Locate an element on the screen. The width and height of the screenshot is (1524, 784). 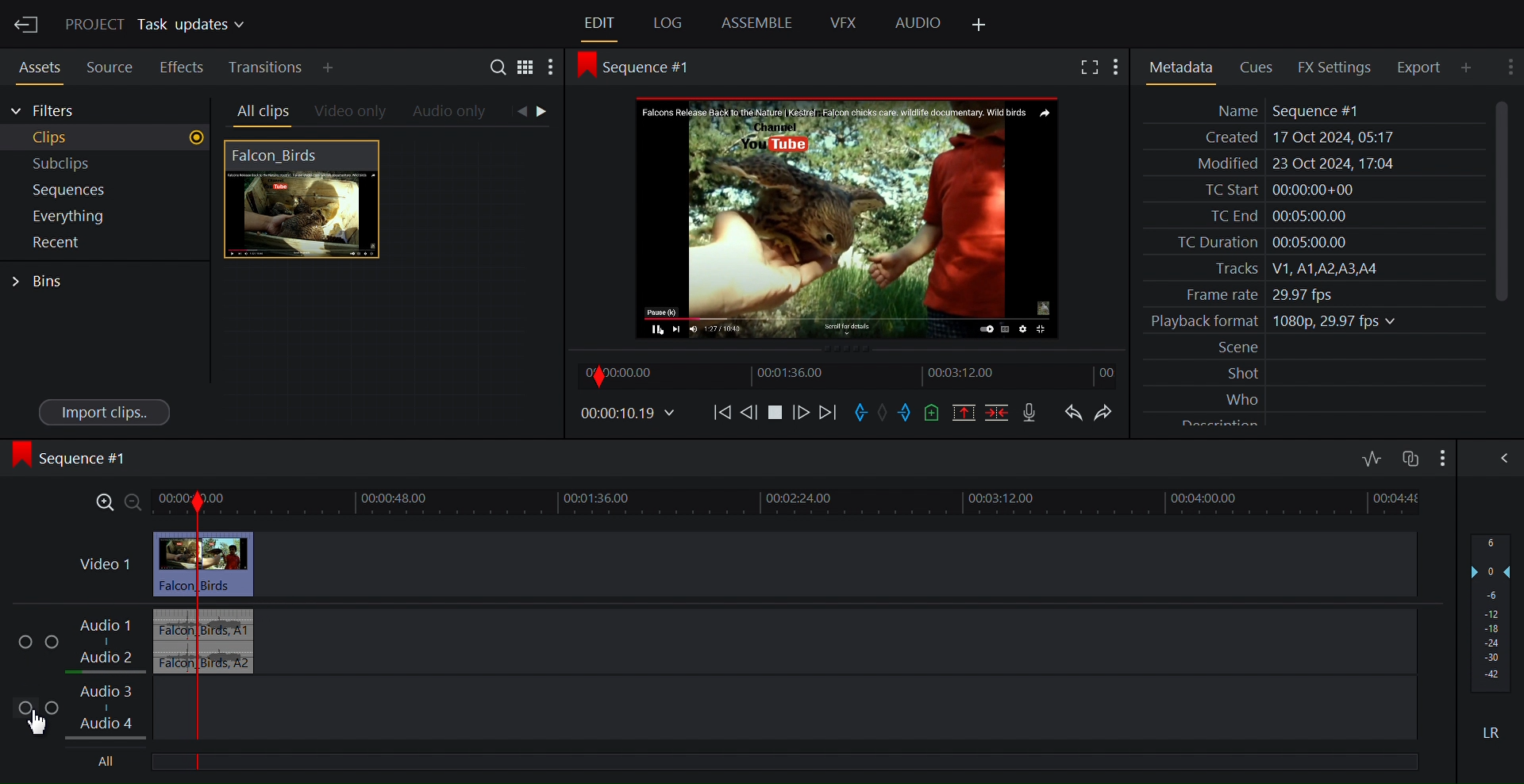
Move back is located at coordinates (718, 415).